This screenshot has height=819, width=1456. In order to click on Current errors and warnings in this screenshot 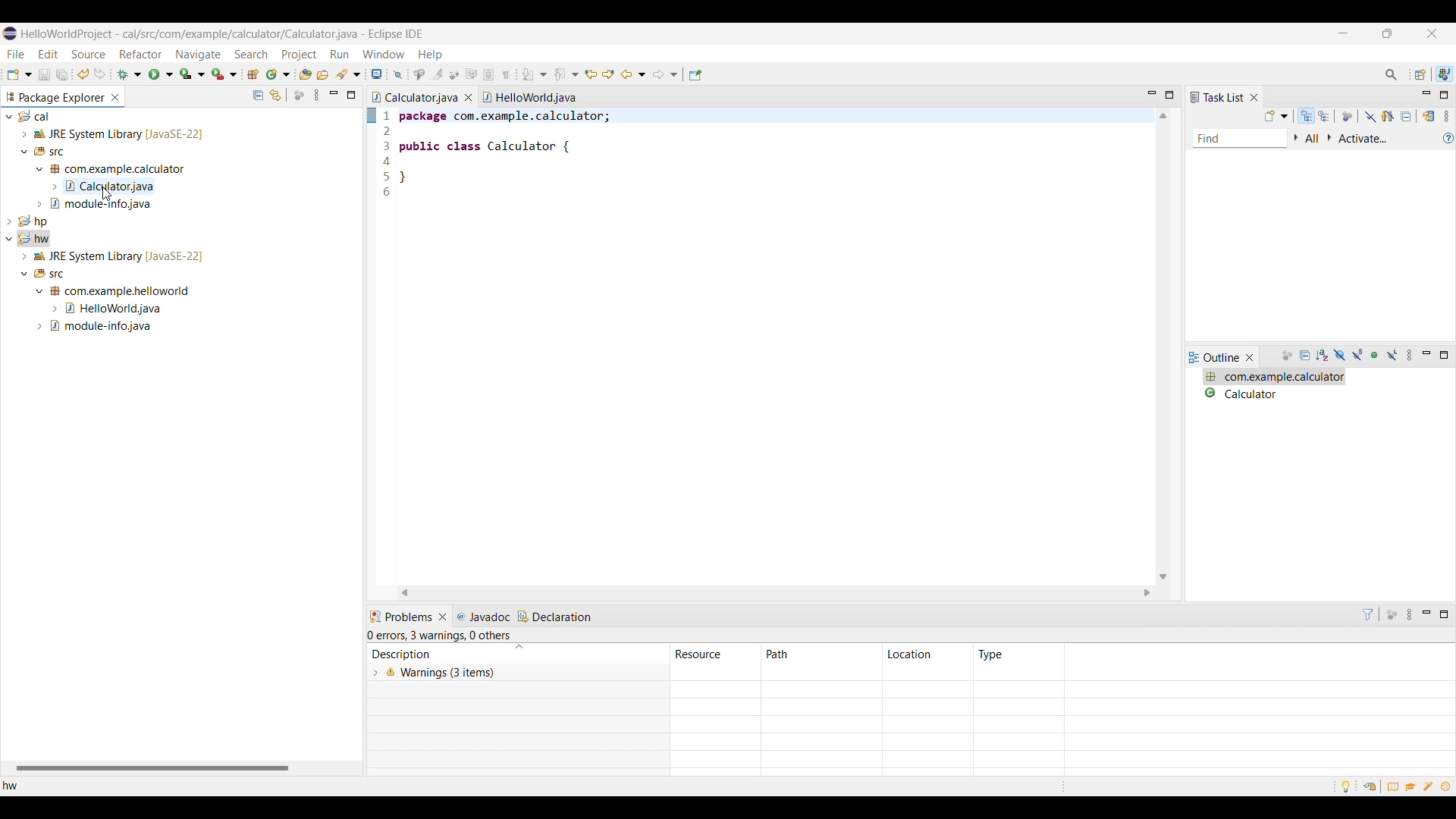, I will do `click(442, 636)`.